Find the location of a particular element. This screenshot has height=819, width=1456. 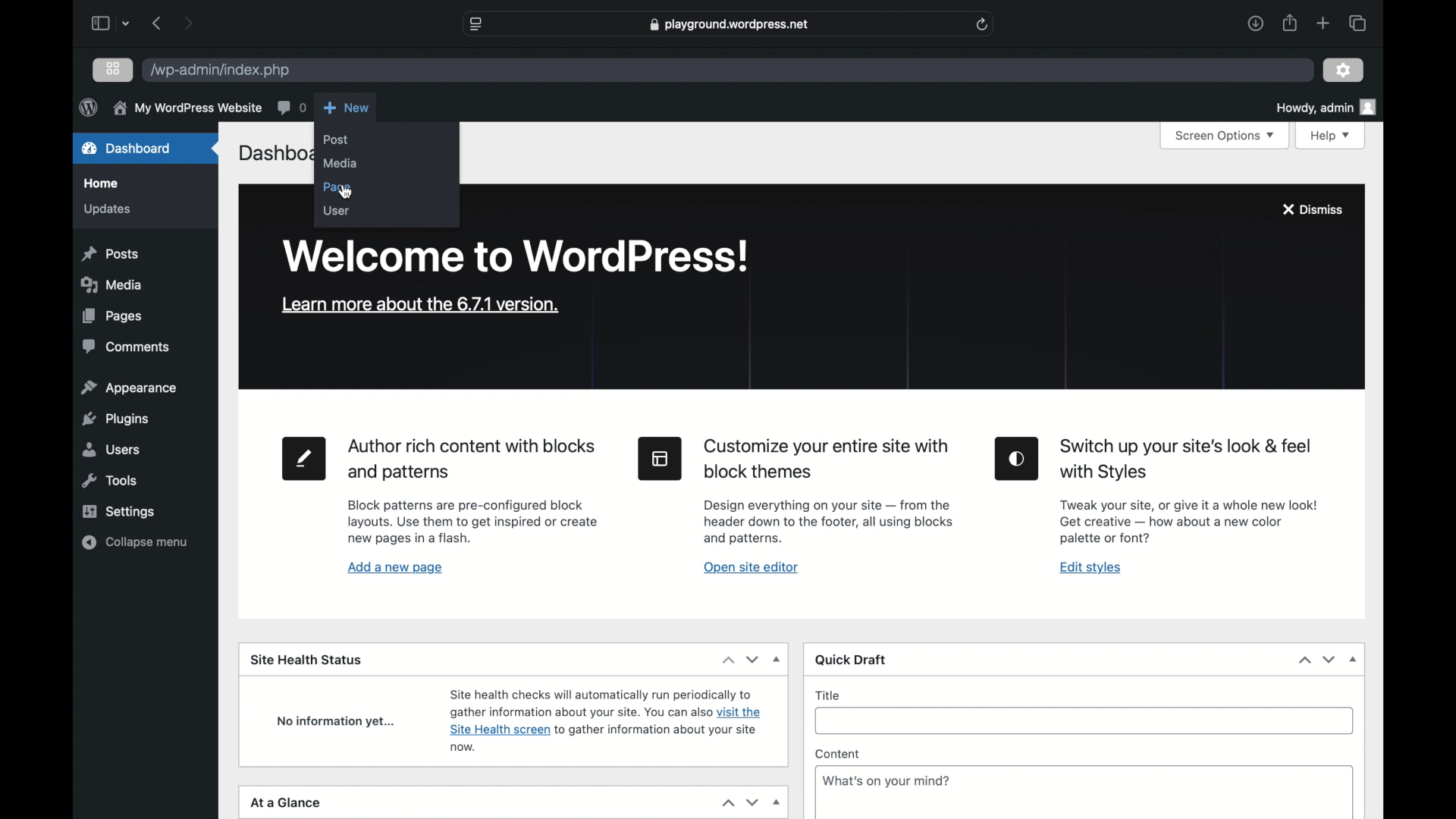

comments is located at coordinates (291, 107).